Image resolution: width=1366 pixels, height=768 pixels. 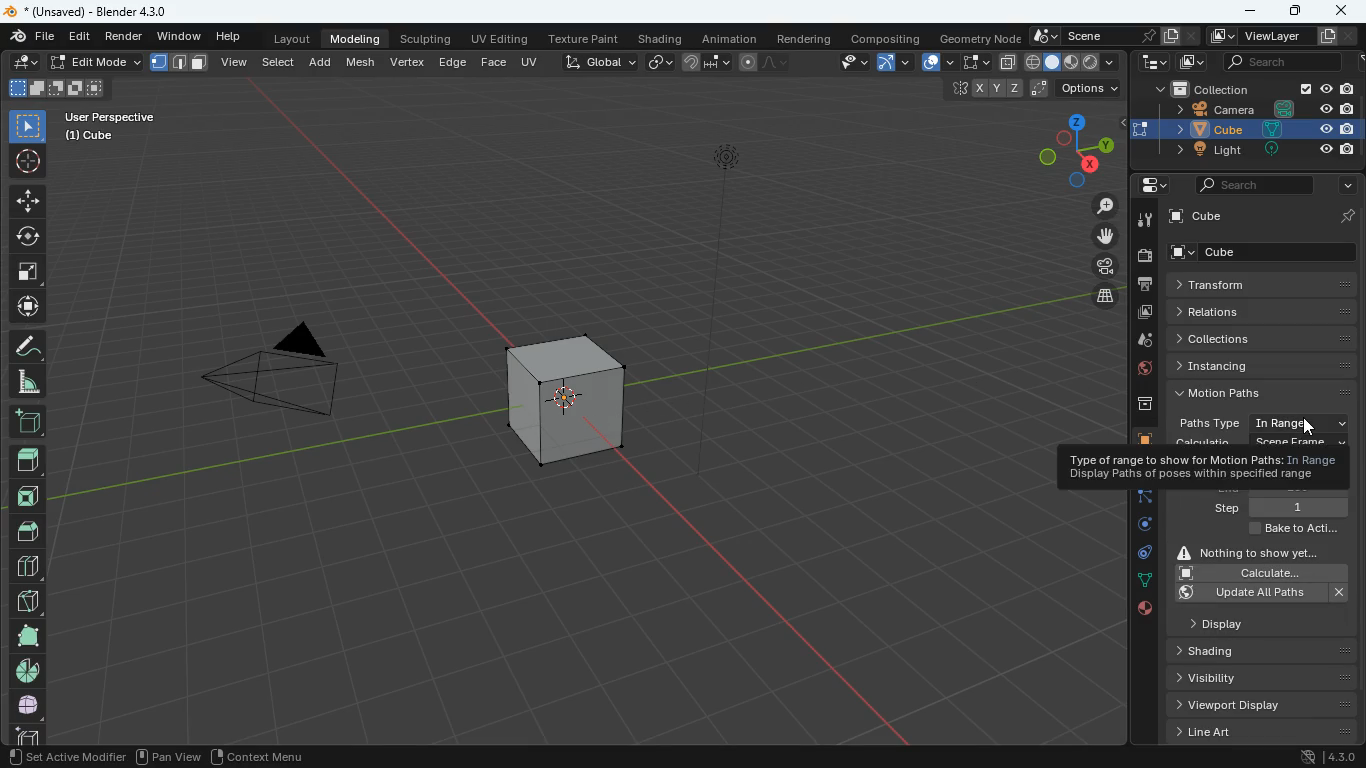 What do you see at coordinates (1258, 573) in the screenshot?
I see `calculate` at bounding box center [1258, 573].